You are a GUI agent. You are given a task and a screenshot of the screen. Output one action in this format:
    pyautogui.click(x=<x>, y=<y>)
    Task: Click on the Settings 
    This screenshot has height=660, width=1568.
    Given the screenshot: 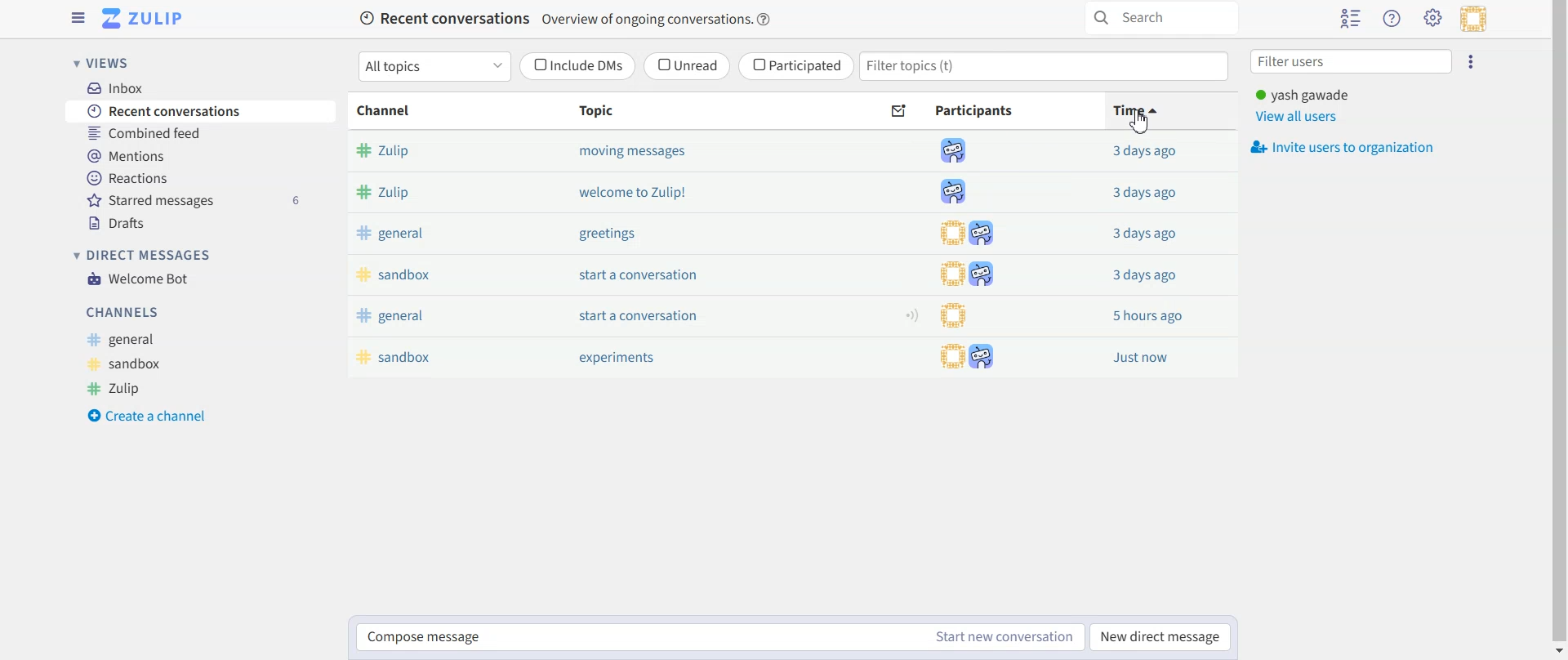 What is the action you would take?
    pyautogui.click(x=1433, y=17)
    